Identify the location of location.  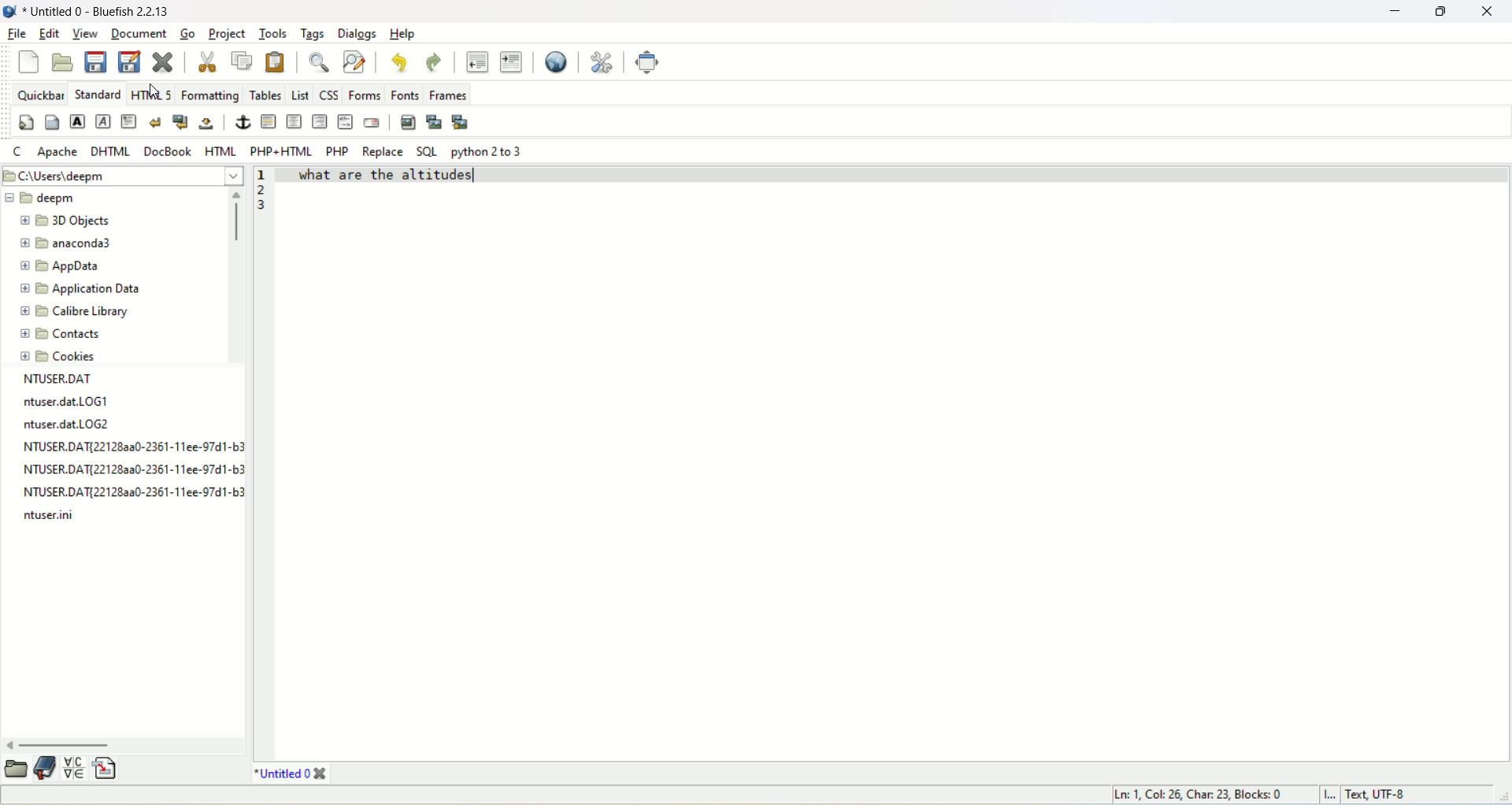
(122, 176).